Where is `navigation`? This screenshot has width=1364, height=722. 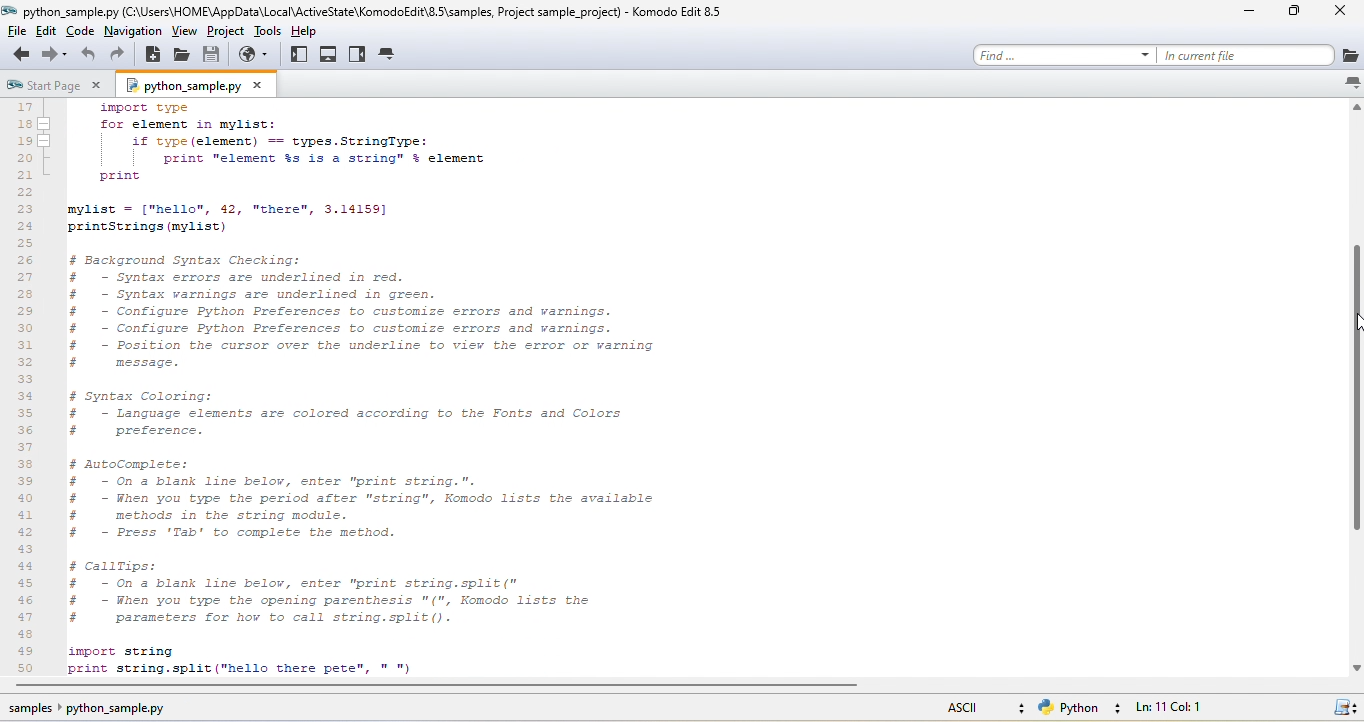 navigation is located at coordinates (132, 31).